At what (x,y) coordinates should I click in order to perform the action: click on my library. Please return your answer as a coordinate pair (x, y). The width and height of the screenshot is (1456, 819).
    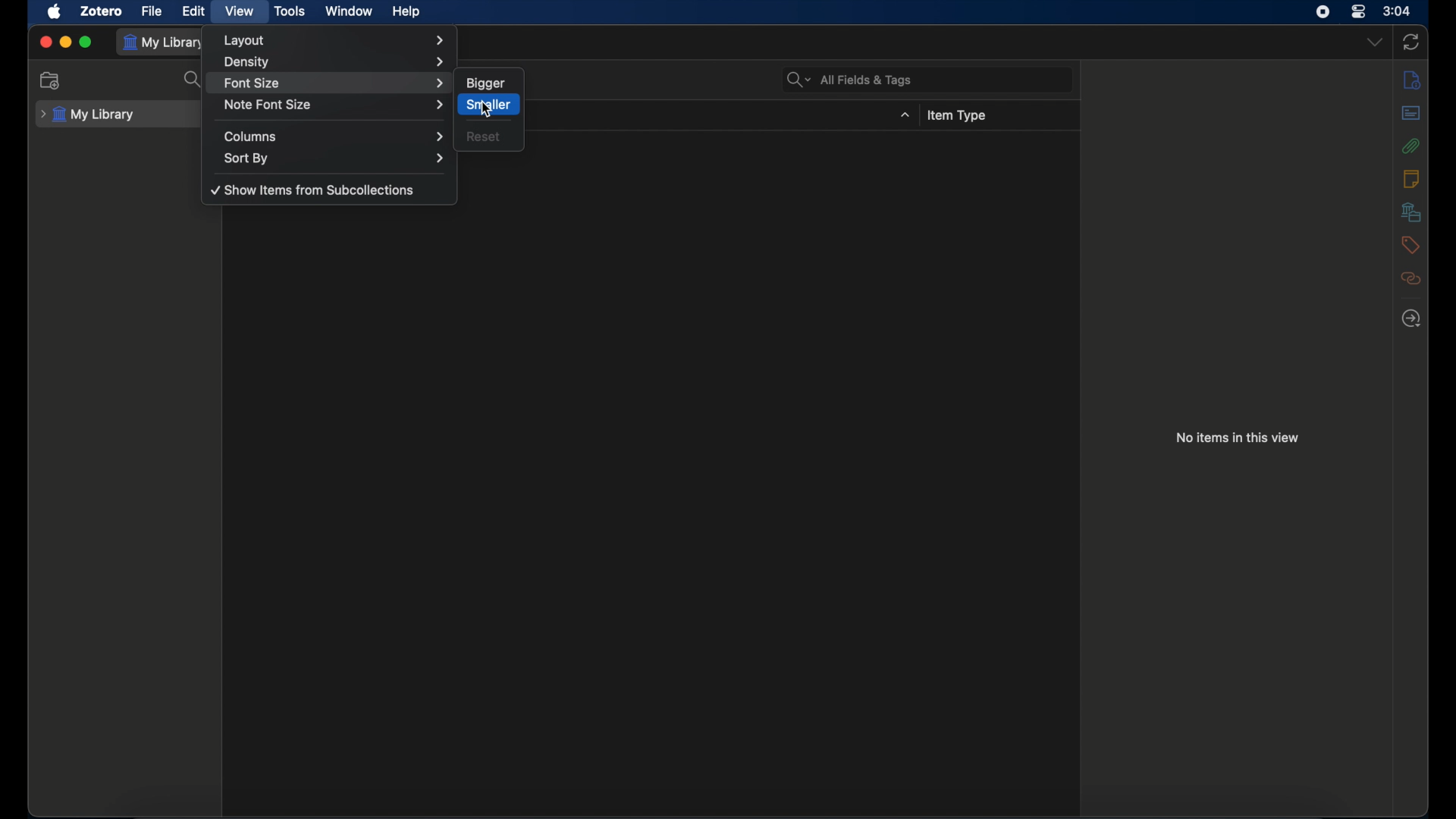
    Looking at the image, I should click on (165, 42).